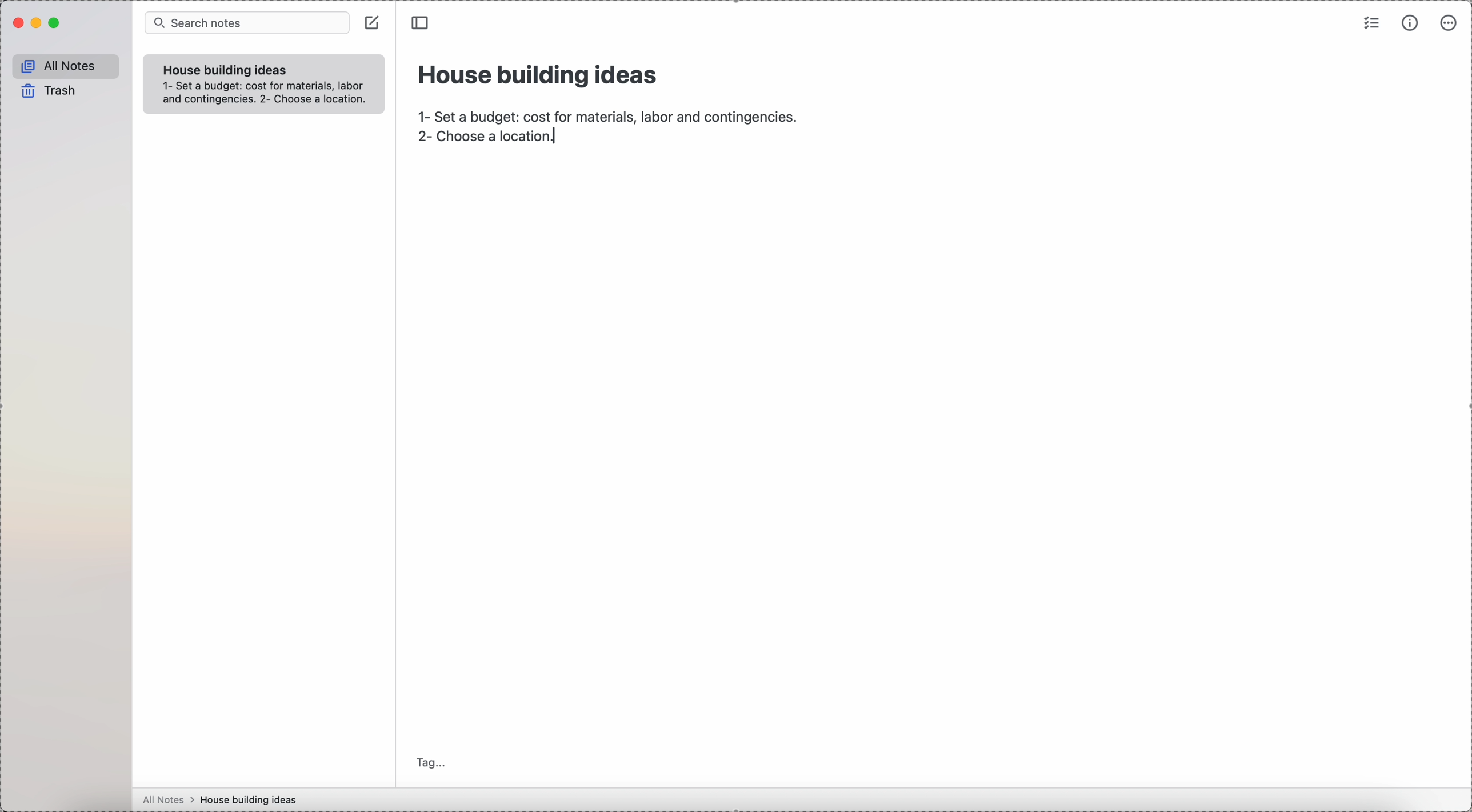 The height and width of the screenshot is (812, 1472). I want to click on house building ideas, so click(539, 73).